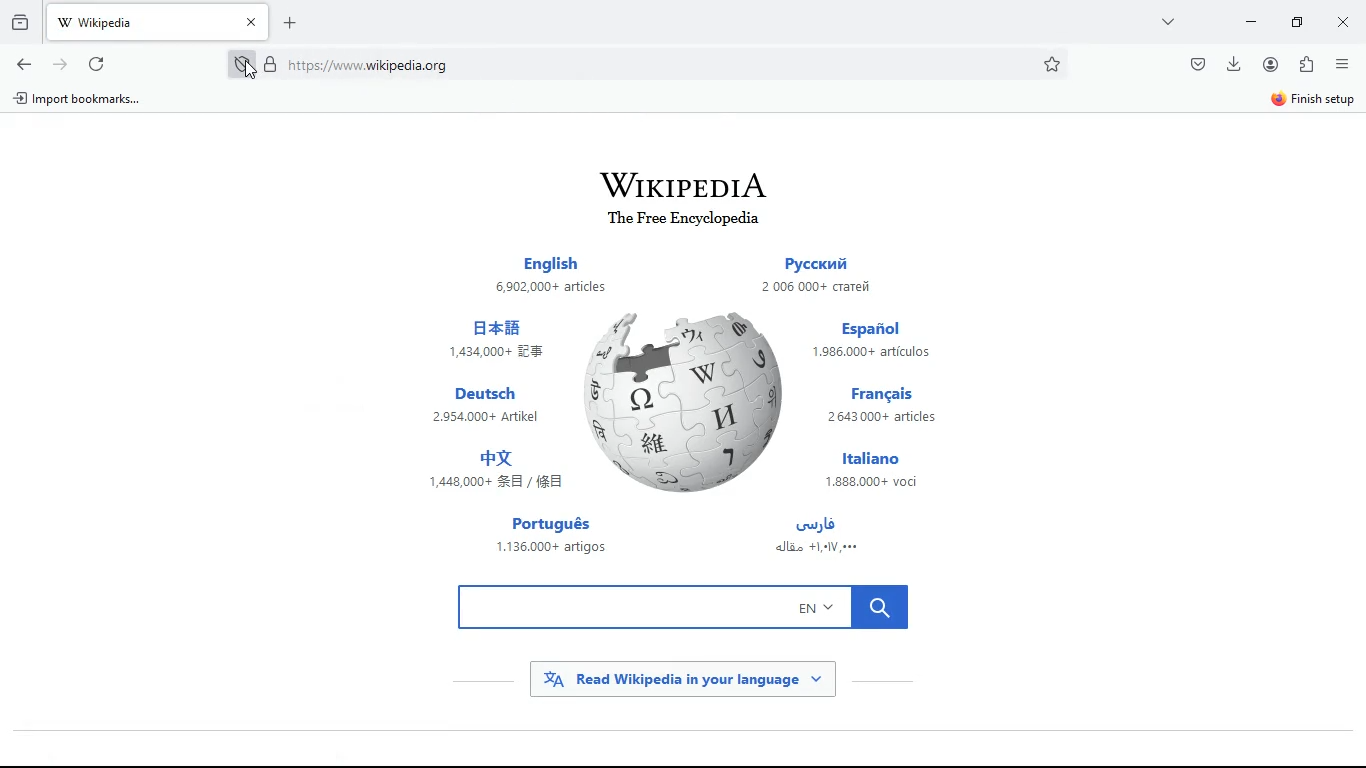 This screenshot has height=768, width=1366. What do you see at coordinates (686, 607) in the screenshot?
I see `search bar` at bounding box center [686, 607].